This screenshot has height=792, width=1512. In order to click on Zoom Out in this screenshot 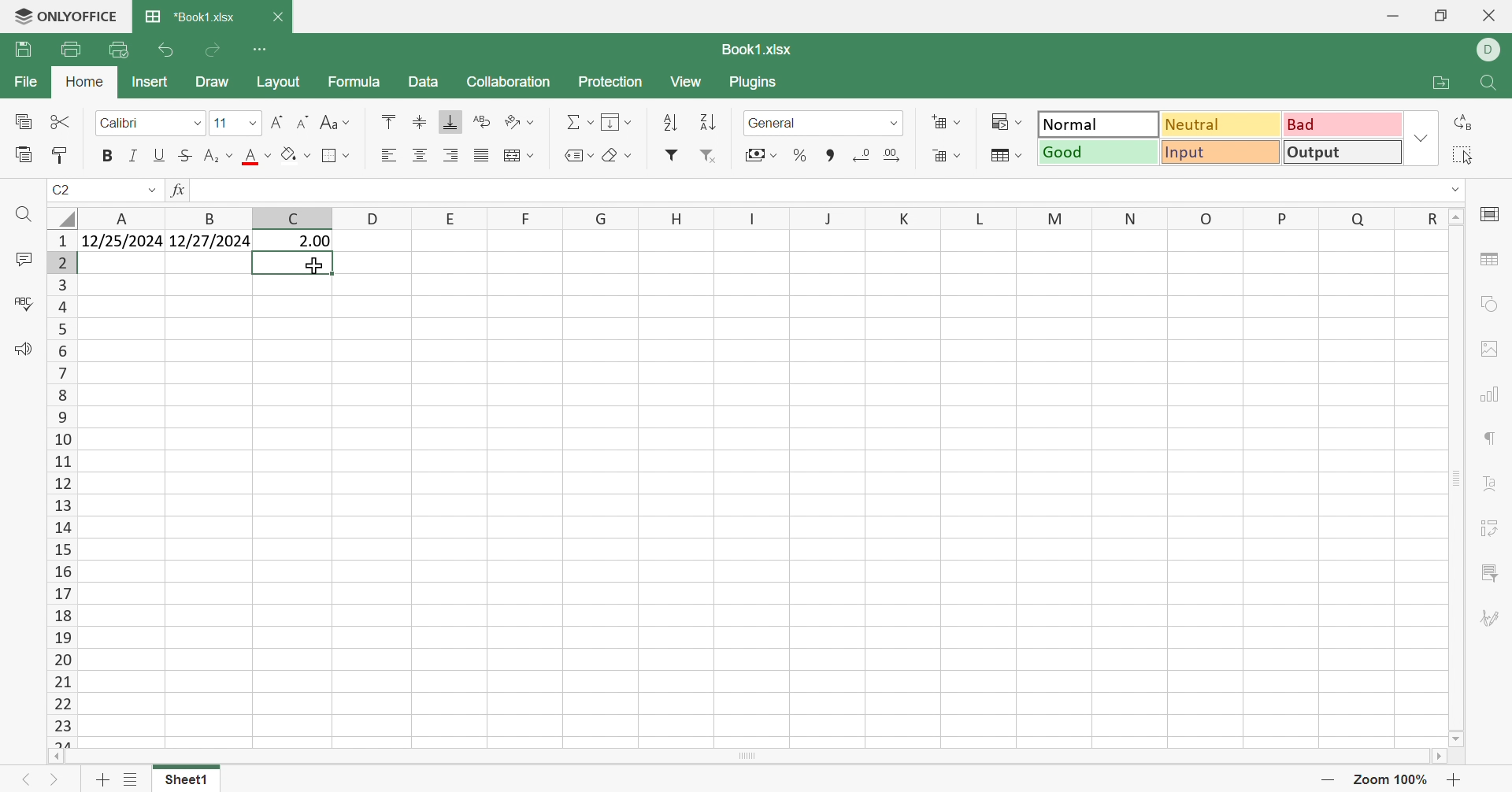, I will do `click(1331, 779)`.